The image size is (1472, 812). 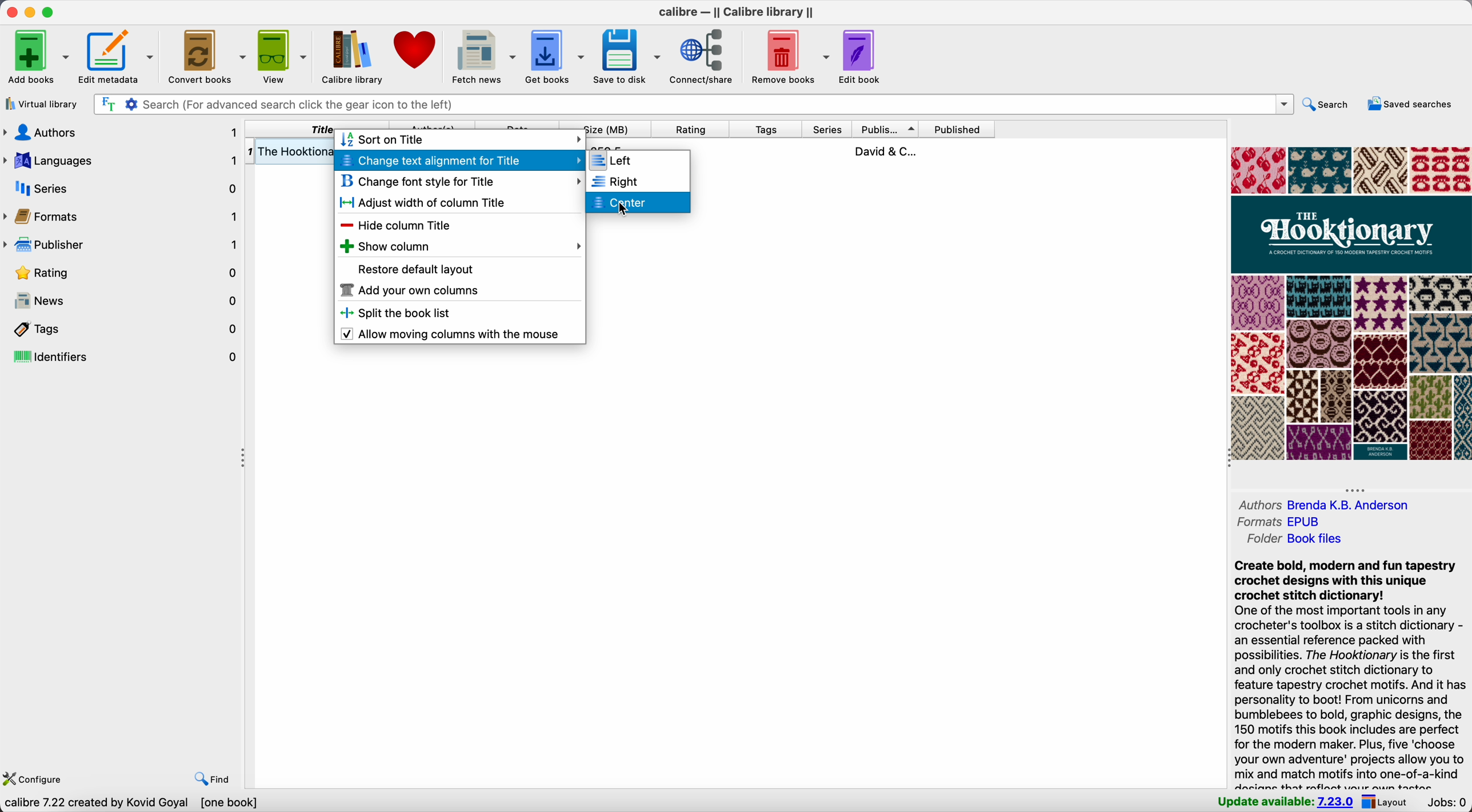 I want to click on connect/share, so click(x=704, y=58).